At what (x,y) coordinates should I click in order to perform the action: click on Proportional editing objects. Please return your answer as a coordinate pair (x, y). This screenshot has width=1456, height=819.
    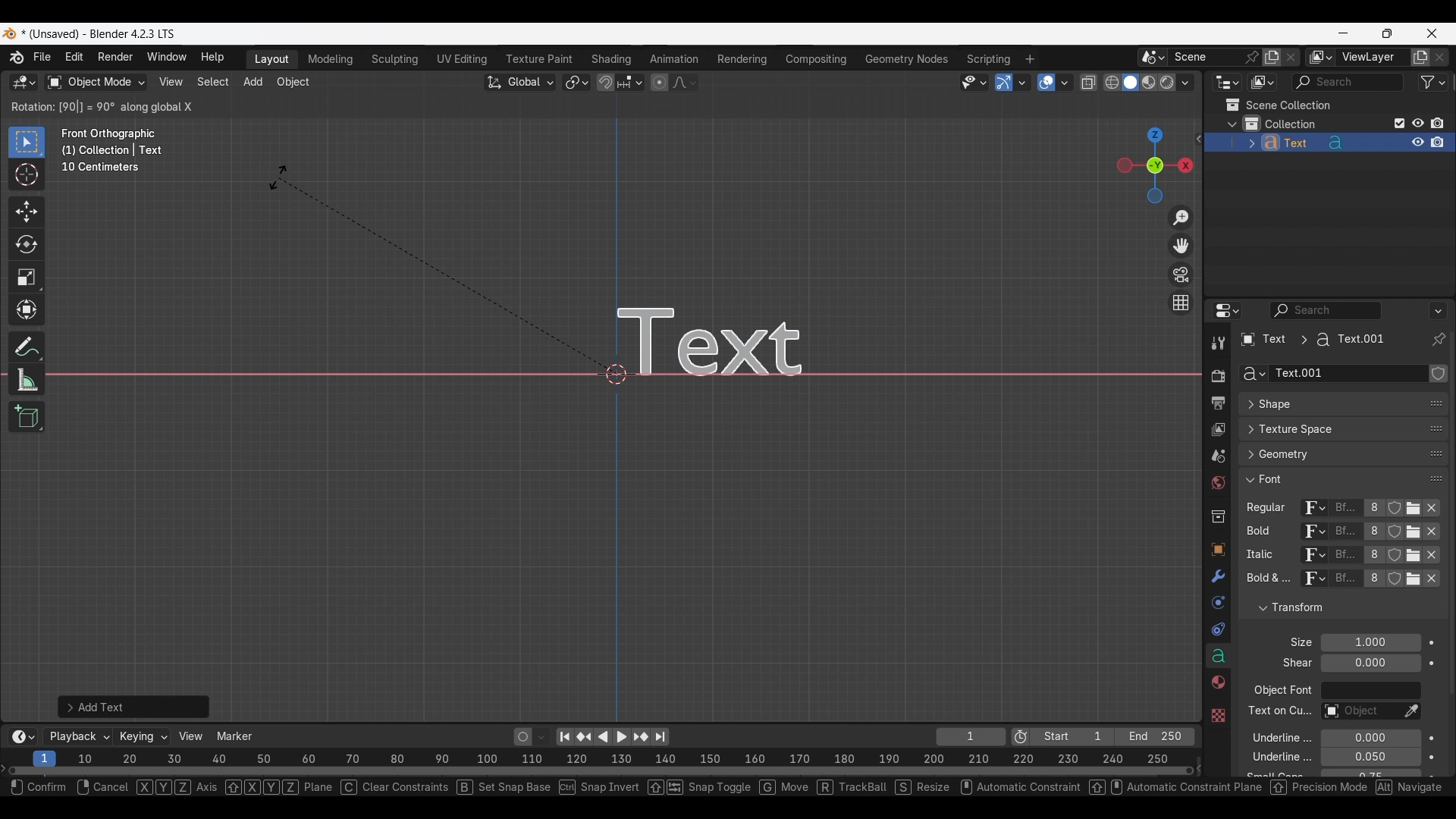
    Looking at the image, I should click on (659, 82).